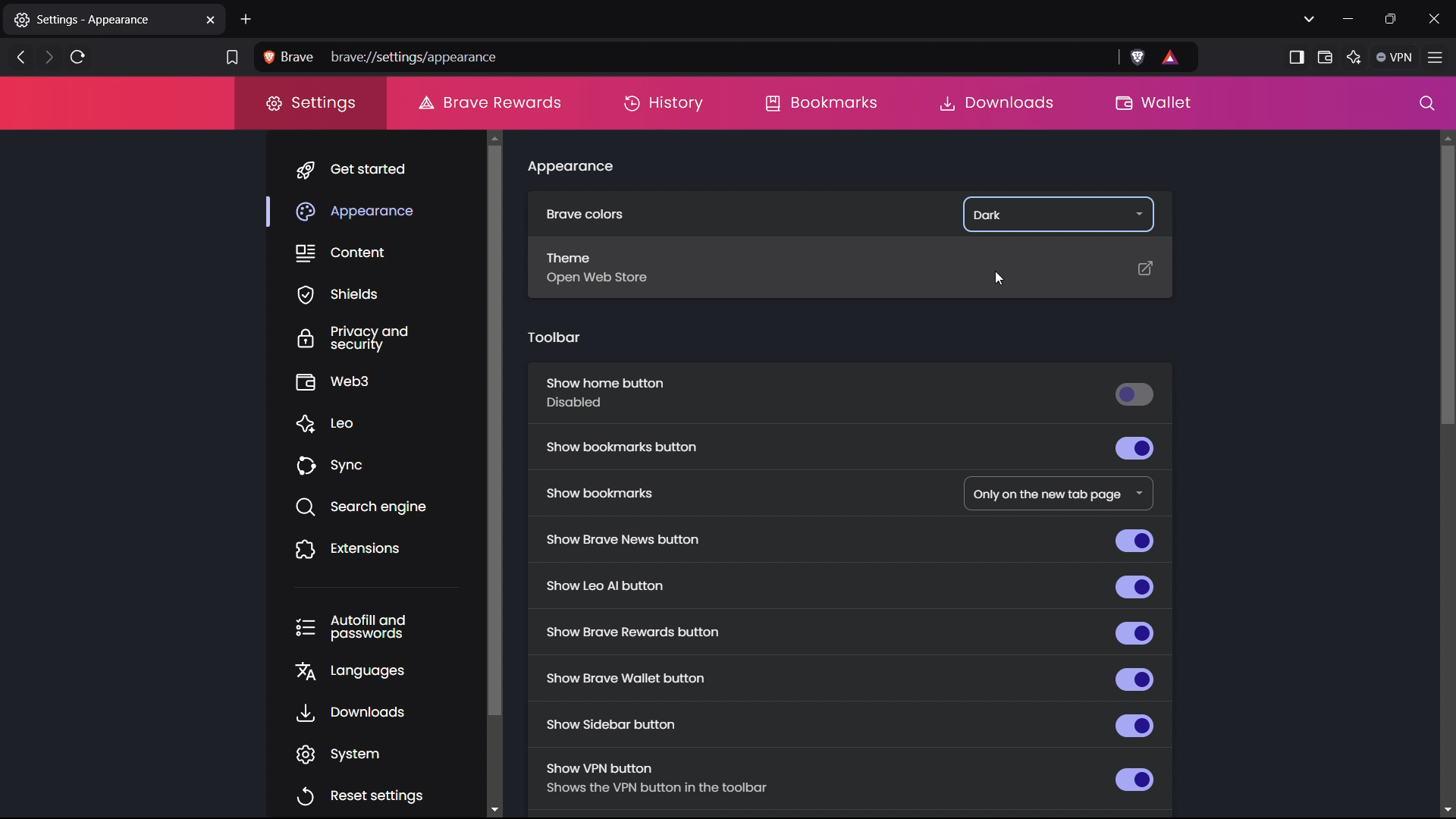  What do you see at coordinates (504, 805) in the screenshot?
I see `scroll down` at bounding box center [504, 805].